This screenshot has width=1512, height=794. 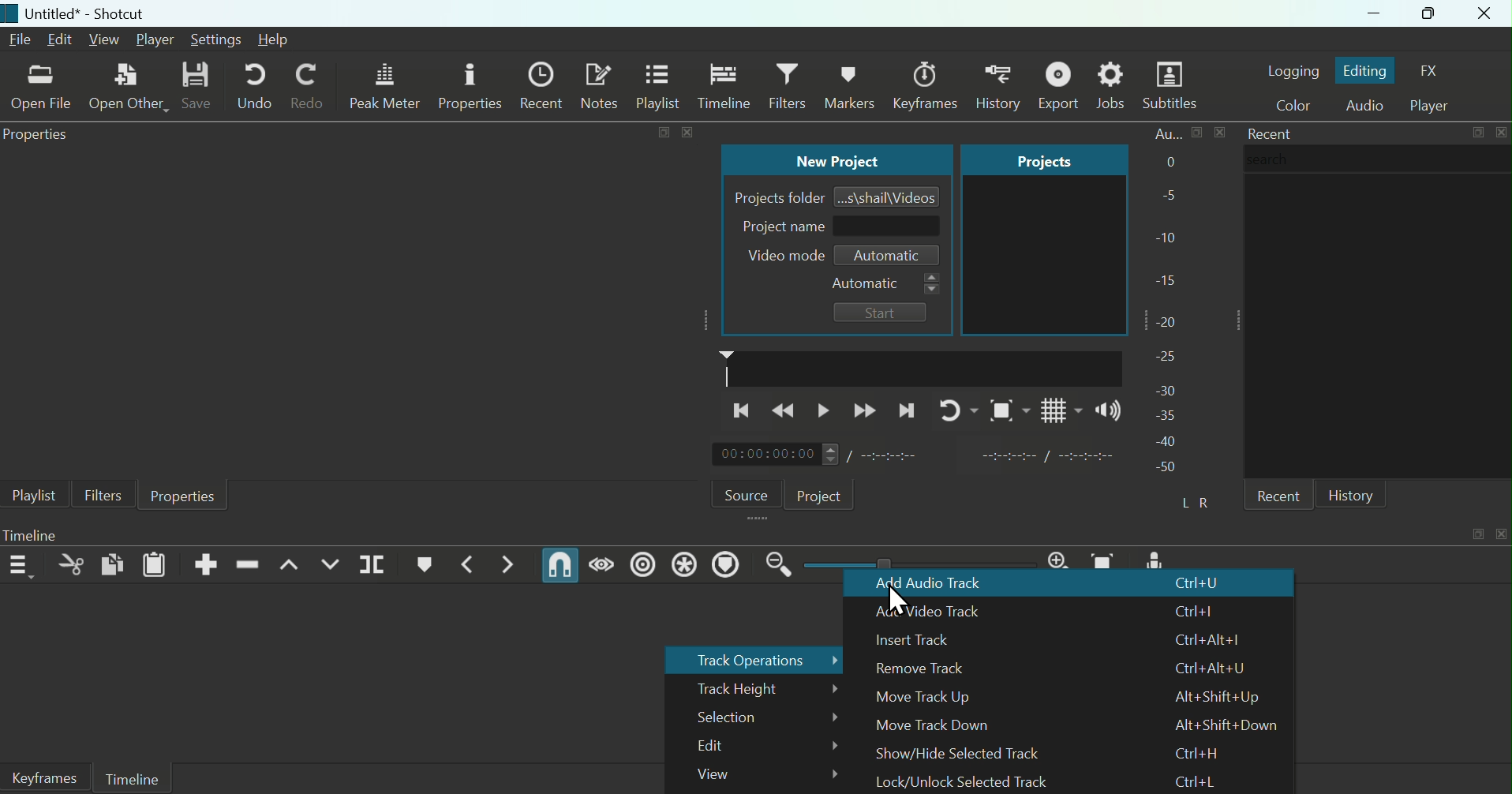 I want to click on Save, so click(x=196, y=88).